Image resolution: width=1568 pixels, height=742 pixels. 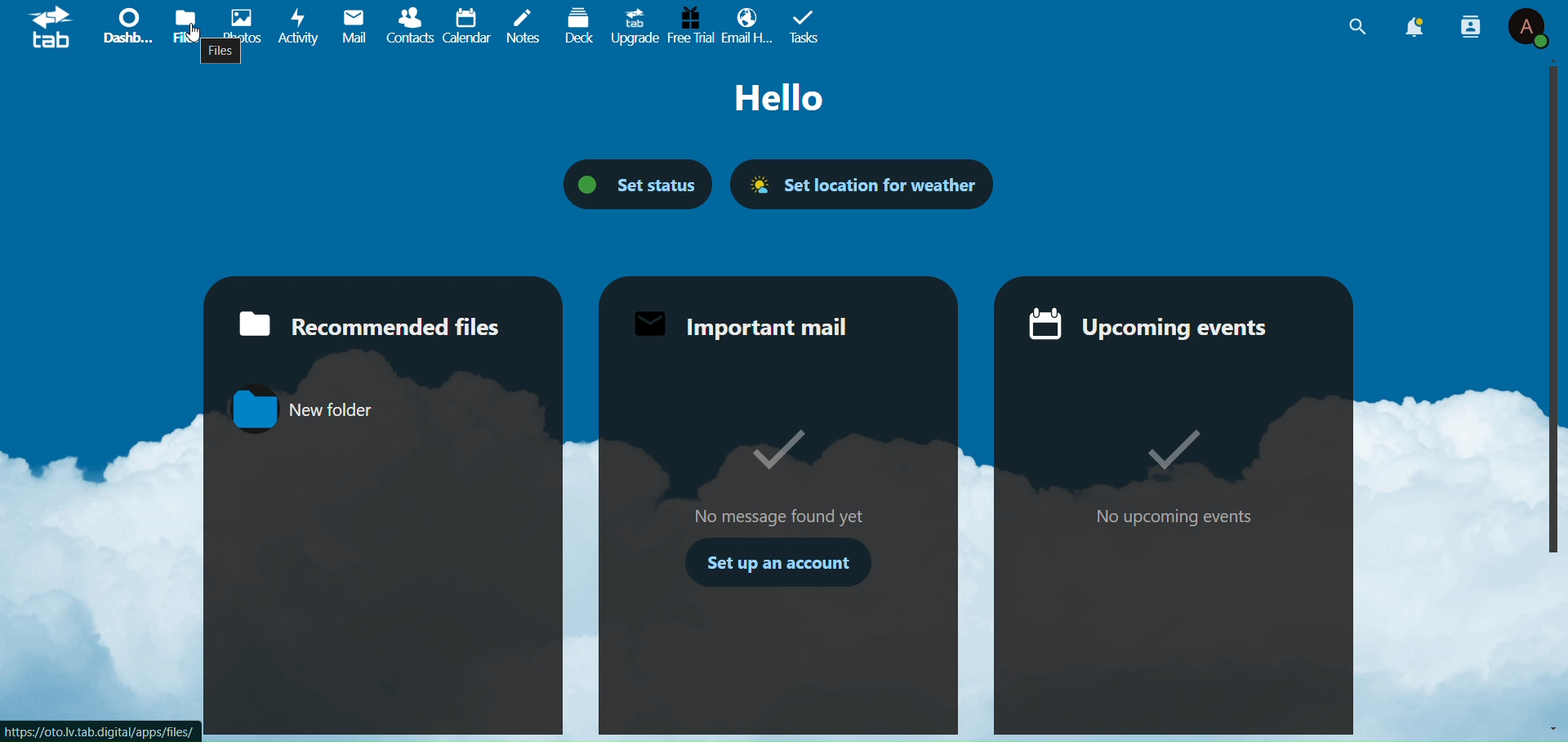 What do you see at coordinates (413, 26) in the screenshot?
I see `Contacts` at bounding box center [413, 26].